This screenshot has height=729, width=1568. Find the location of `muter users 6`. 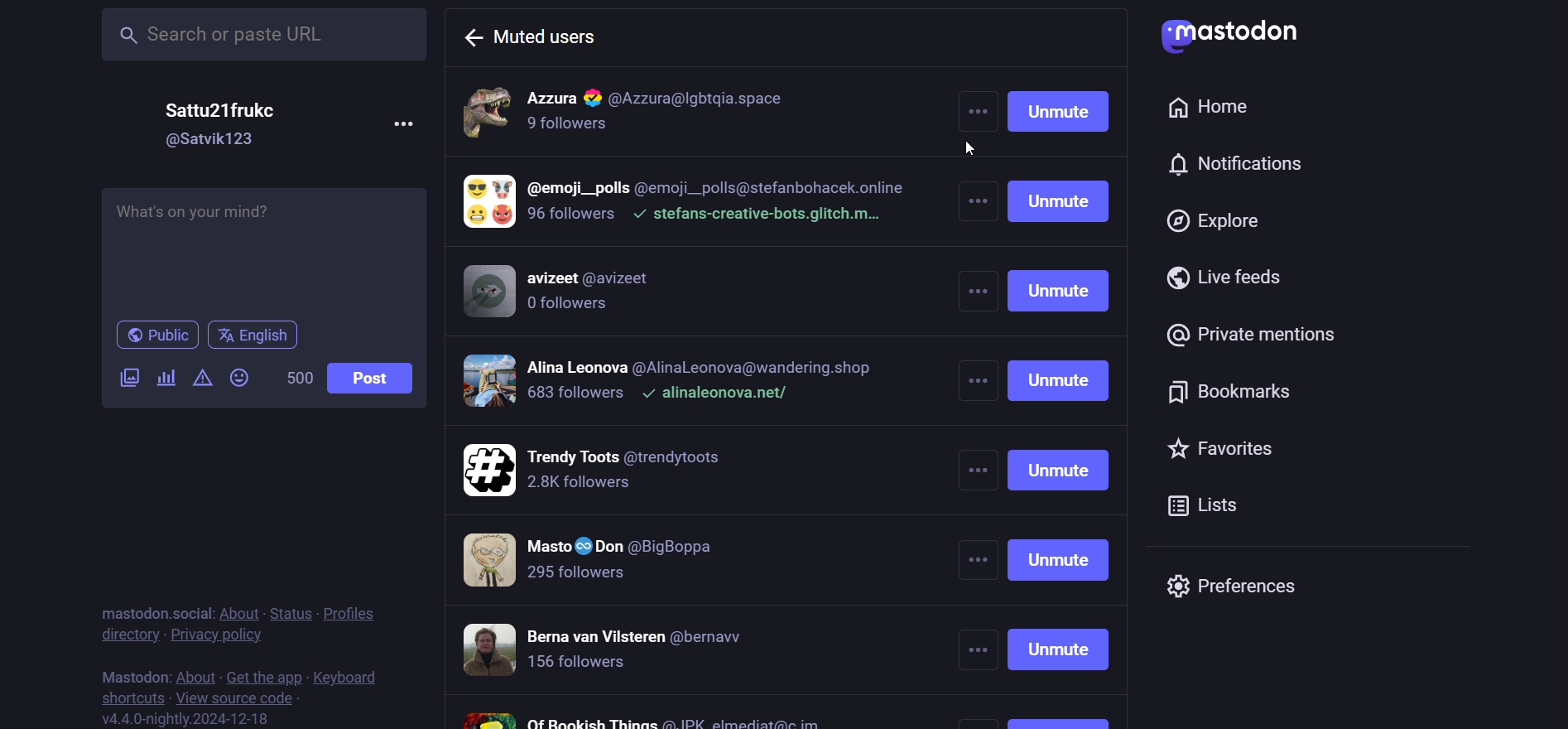

muter users 6 is located at coordinates (606, 560).